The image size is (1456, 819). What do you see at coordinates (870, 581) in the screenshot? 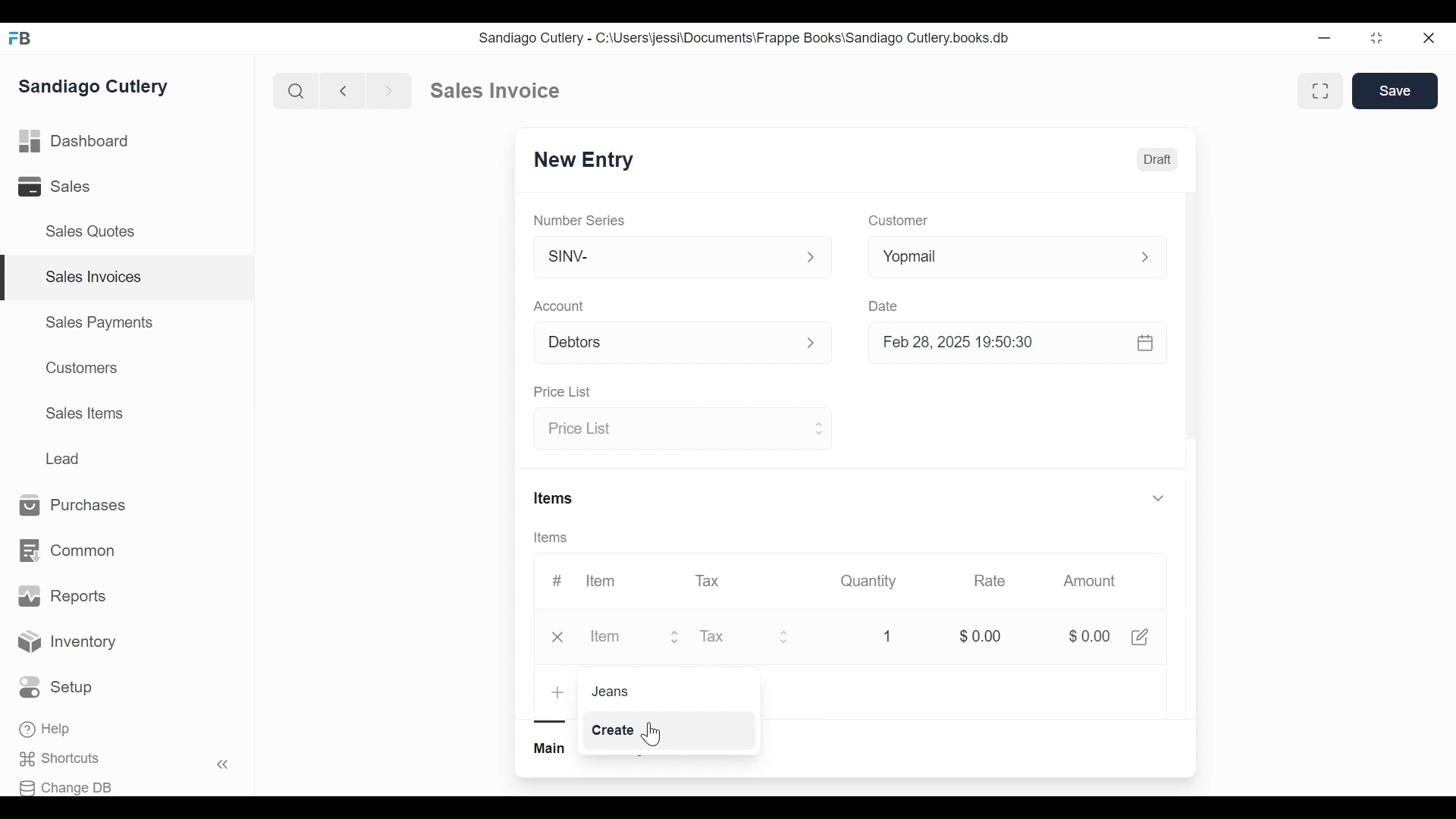
I see `Quantity` at bounding box center [870, 581].